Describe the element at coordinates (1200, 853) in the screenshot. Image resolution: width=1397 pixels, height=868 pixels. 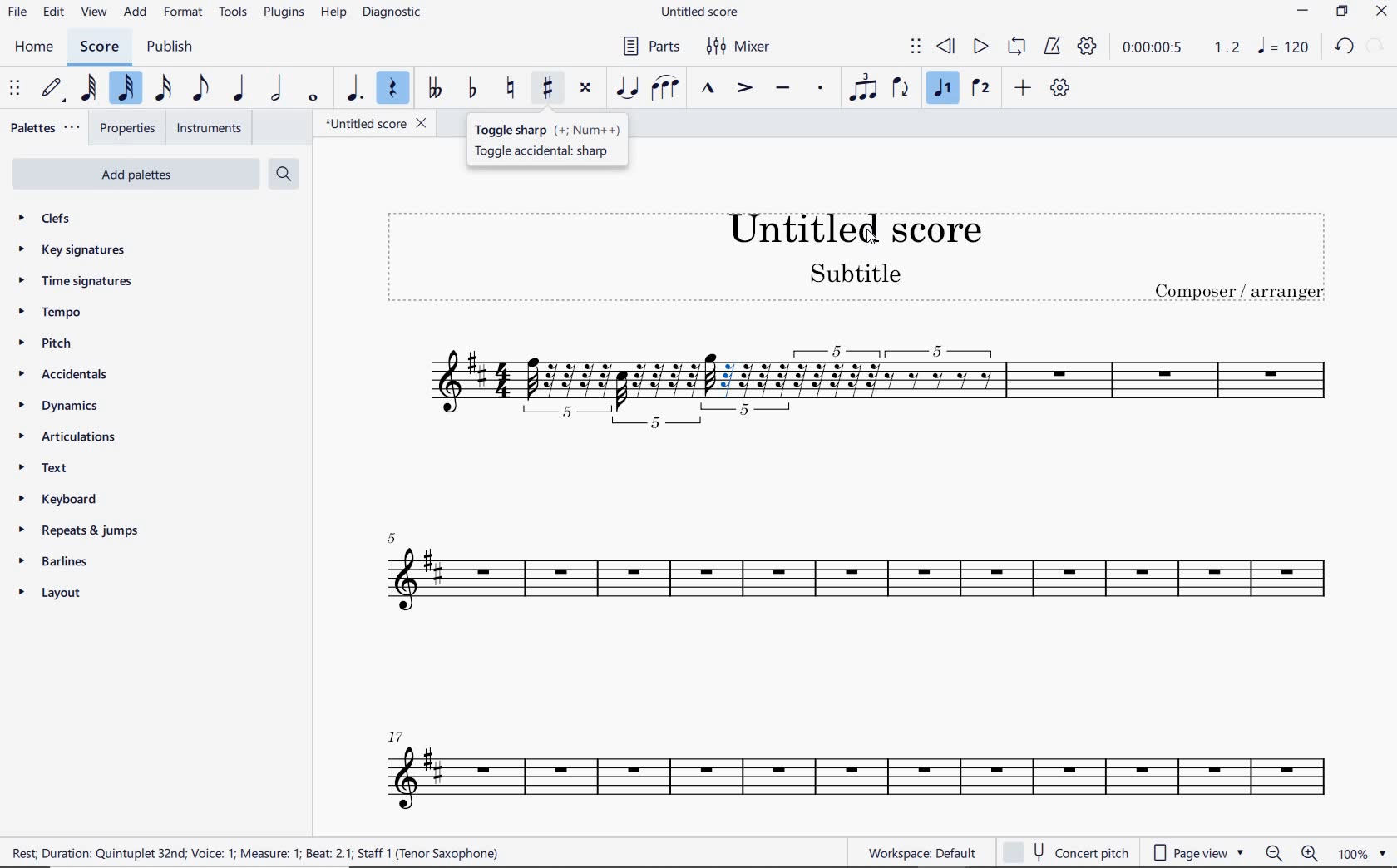
I see `PAGE VIEW` at that location.